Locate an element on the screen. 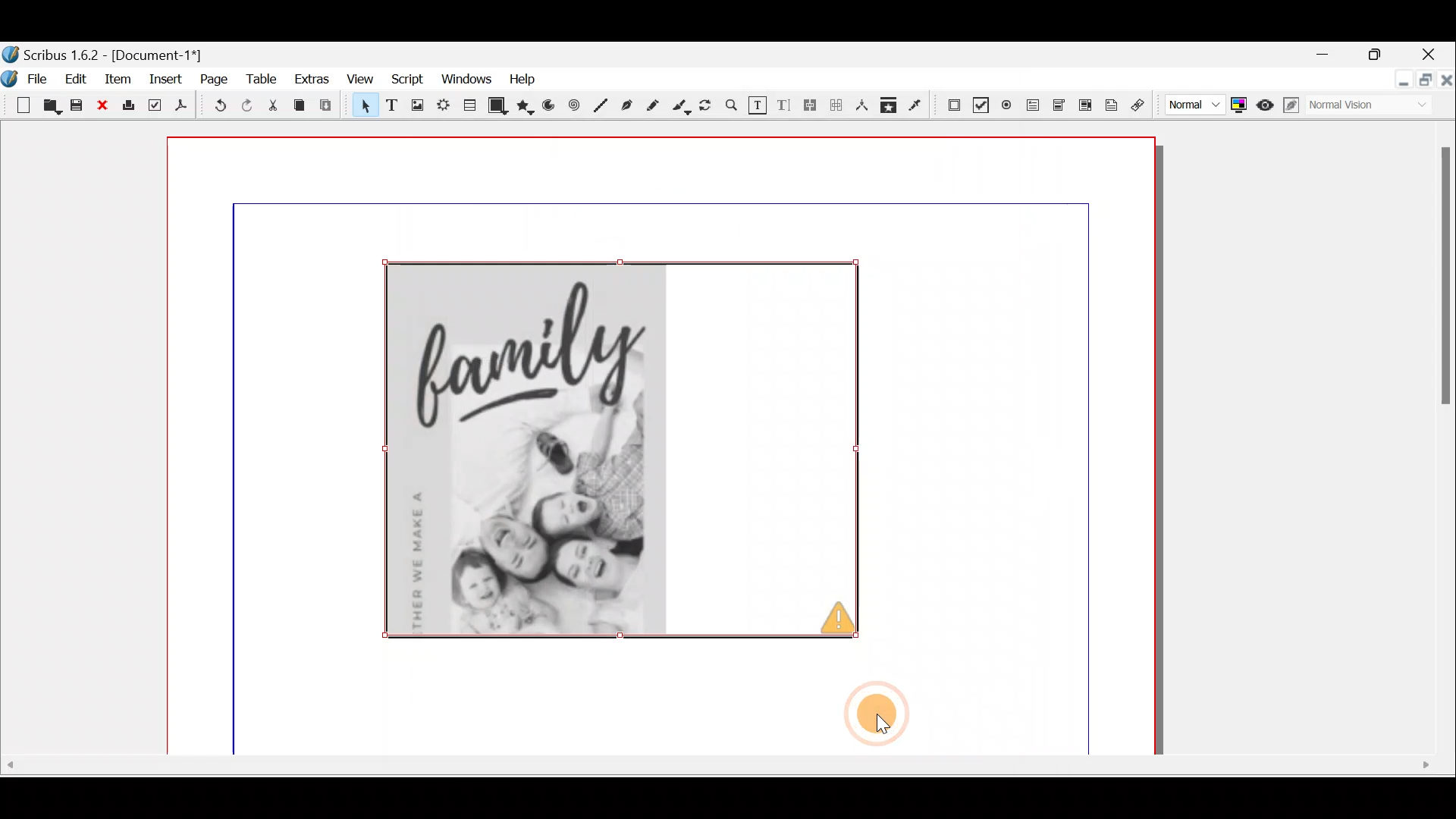 The image size is (1456, 819). Save is located at coordinates (75, 105).